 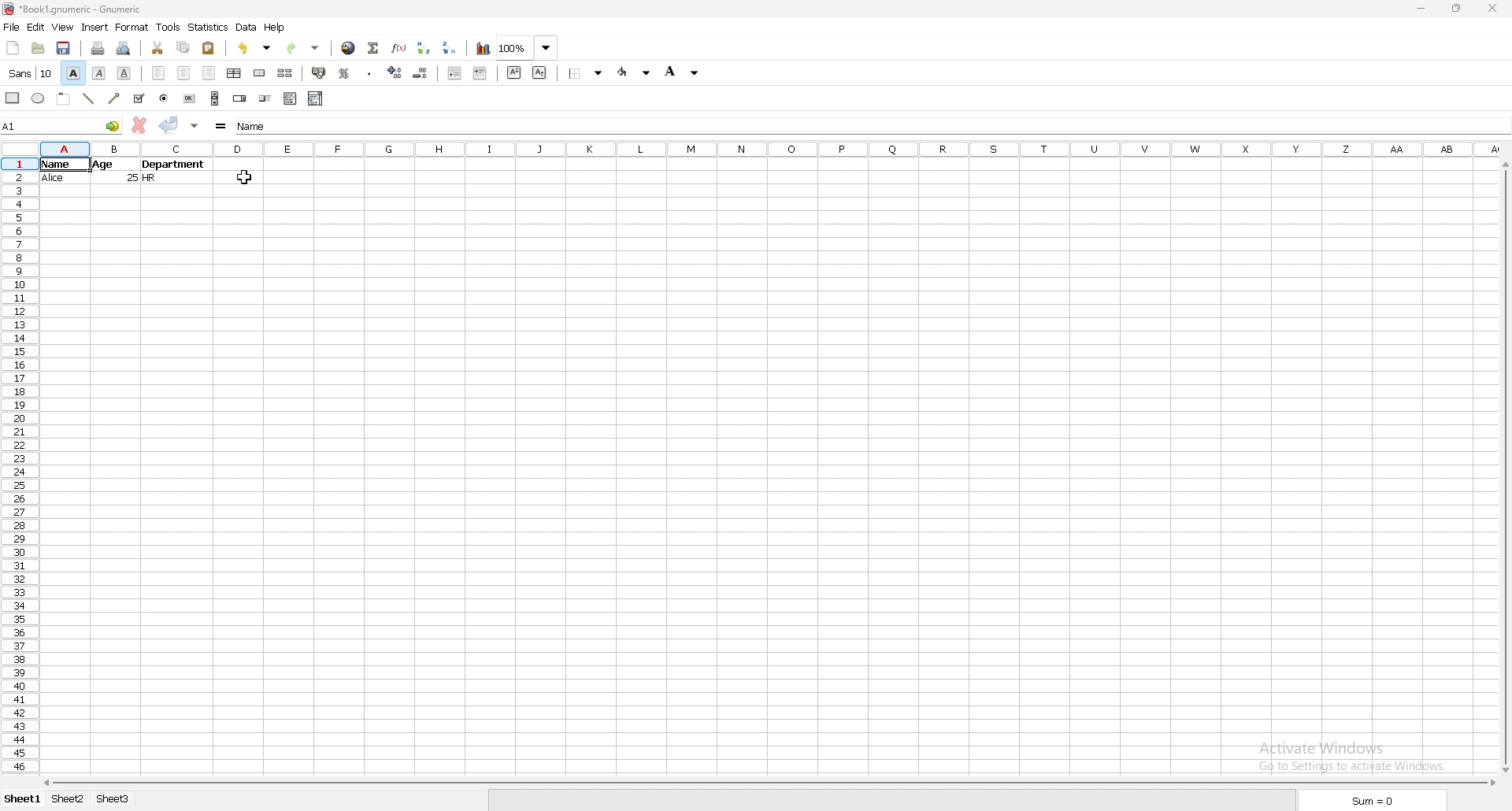 What do you see at coordinates (169, 27) in the screenshot?
I see `tools` at bounding box center [169, 27].